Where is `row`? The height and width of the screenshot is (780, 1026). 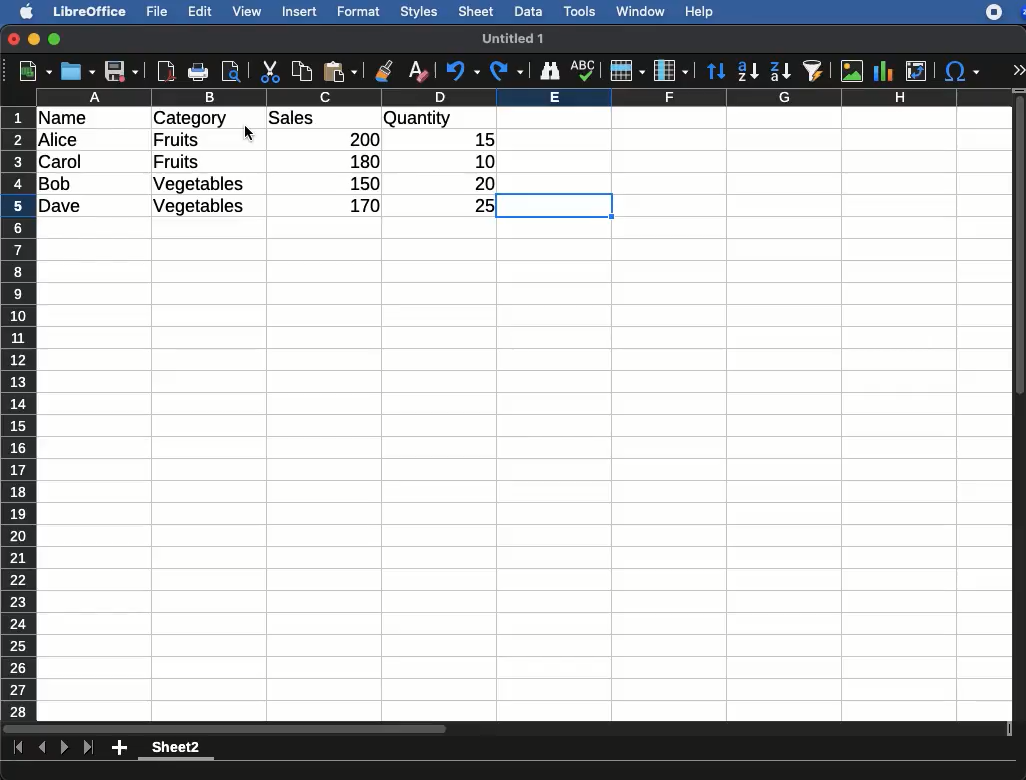 row is located at coordinates (626, 71).